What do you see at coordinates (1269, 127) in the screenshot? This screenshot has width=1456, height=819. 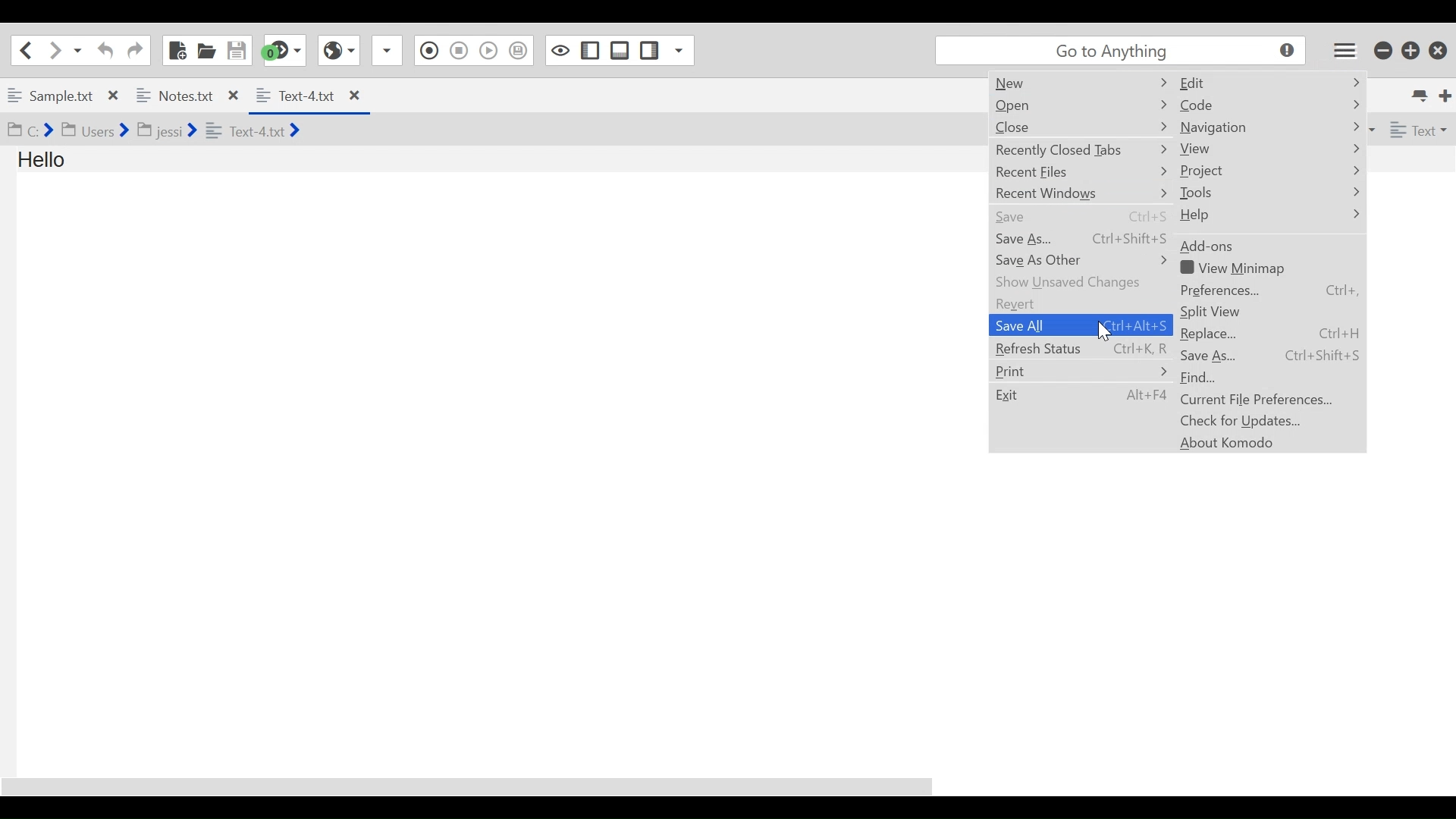 I see `Navigation` at bounding box center [1269, 127].